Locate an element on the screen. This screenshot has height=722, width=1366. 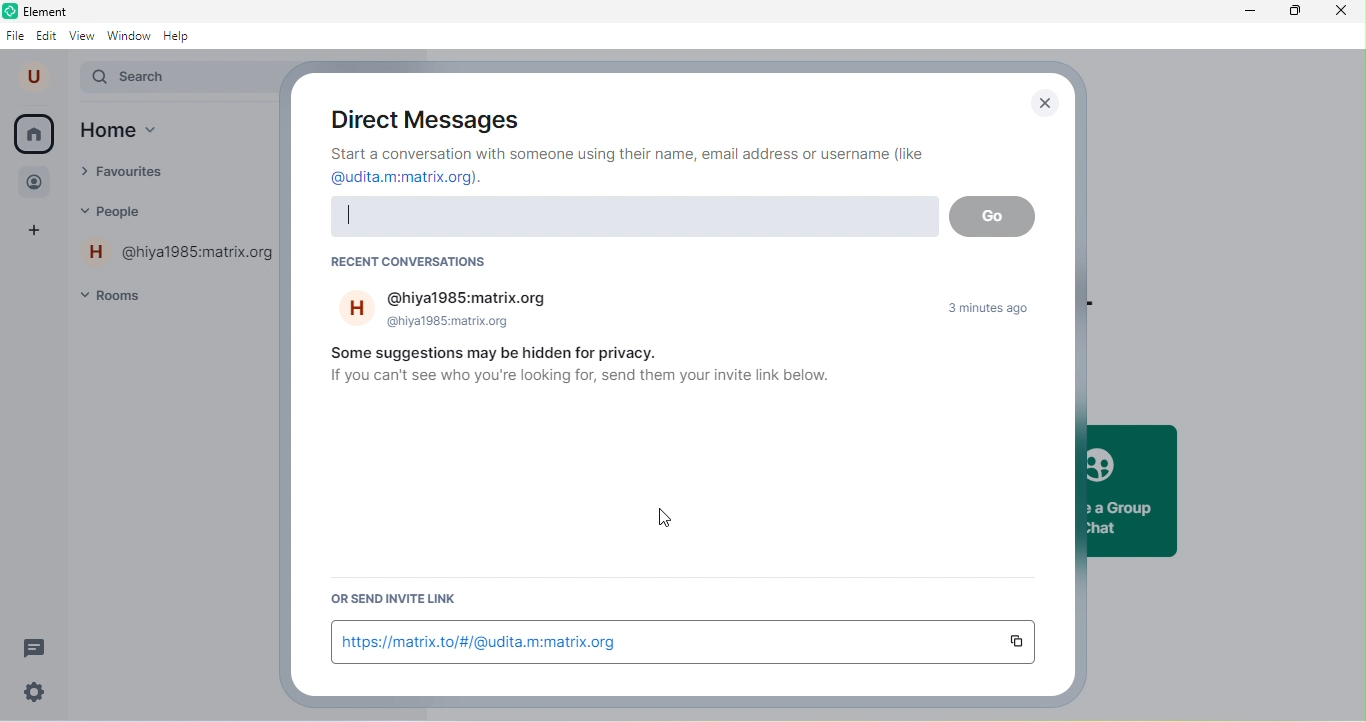
file is located at coordinates (16, 34).